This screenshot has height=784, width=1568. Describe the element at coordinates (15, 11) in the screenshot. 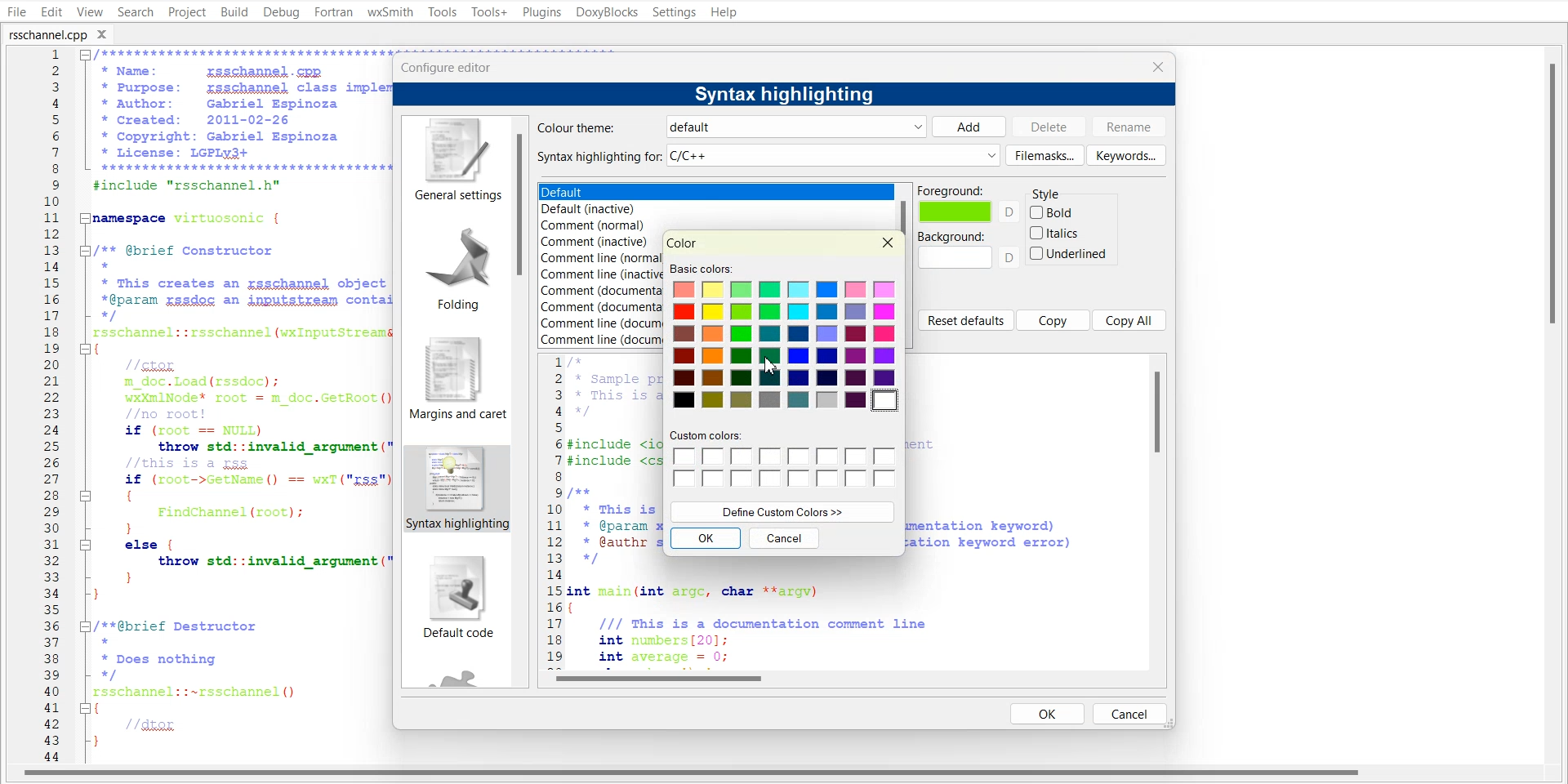

I see `File` at that location.